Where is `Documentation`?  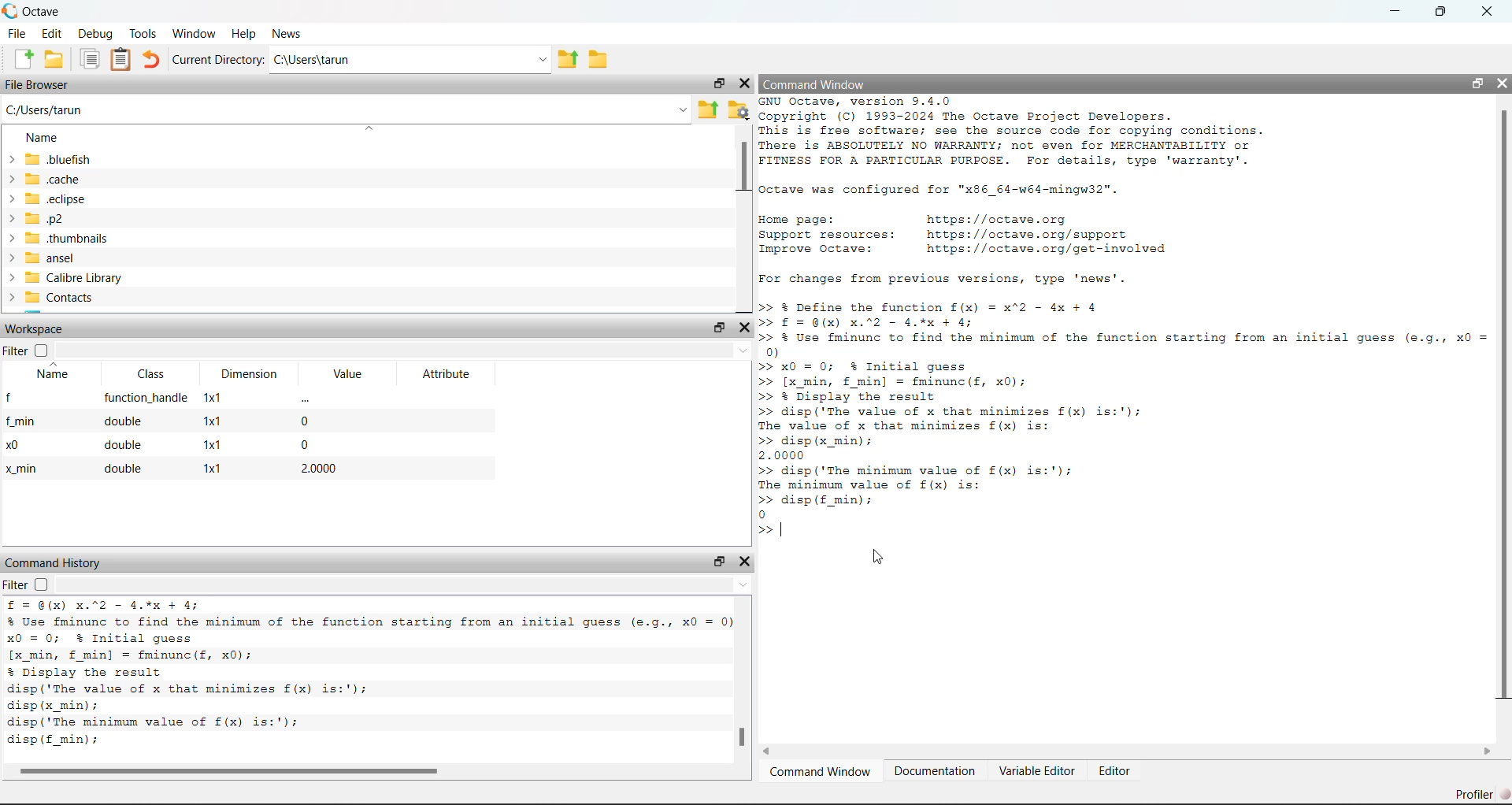
Documentation is located at coordinates (936, 768).